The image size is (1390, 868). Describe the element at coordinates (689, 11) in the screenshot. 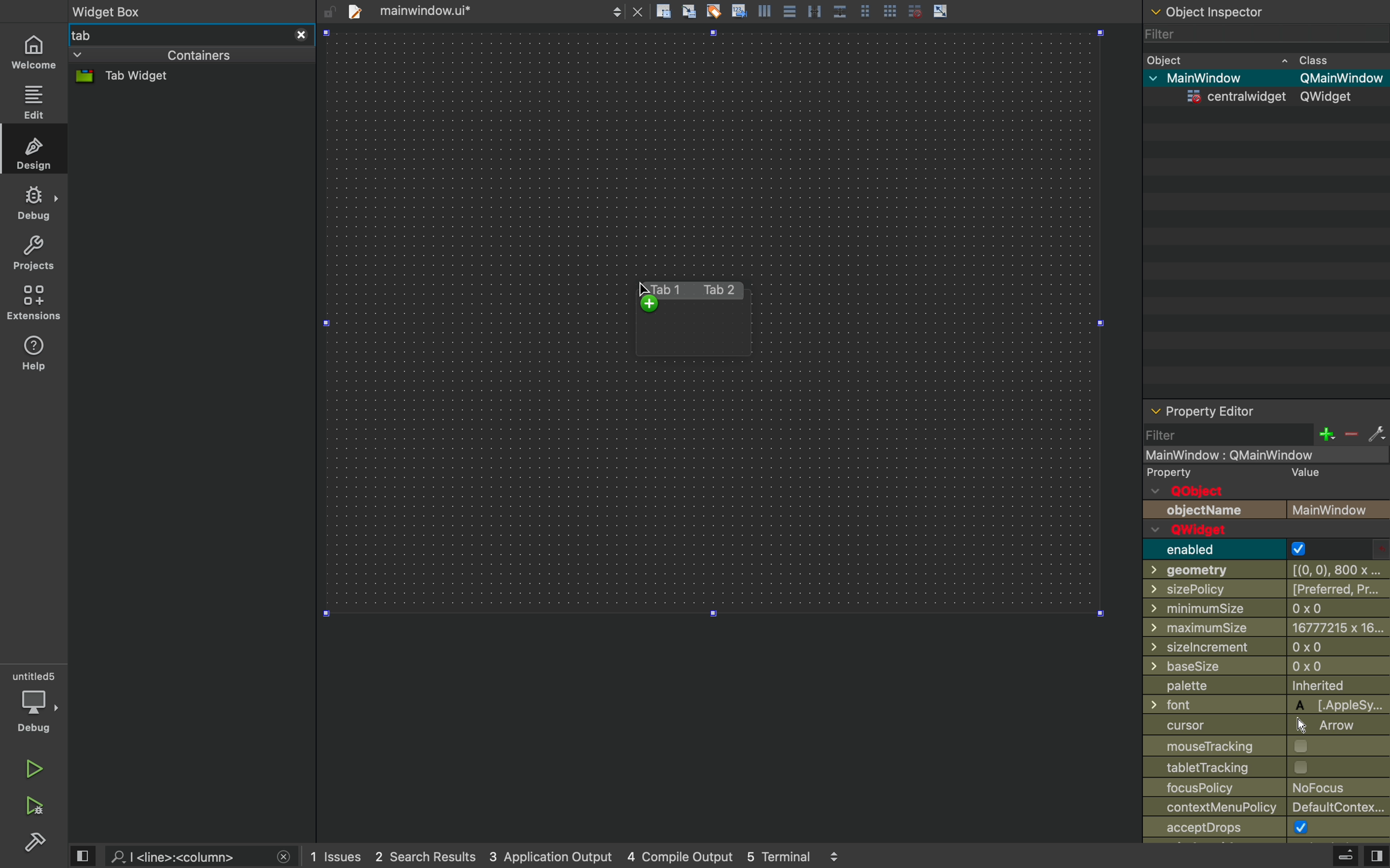

I see `align grid` at that location.